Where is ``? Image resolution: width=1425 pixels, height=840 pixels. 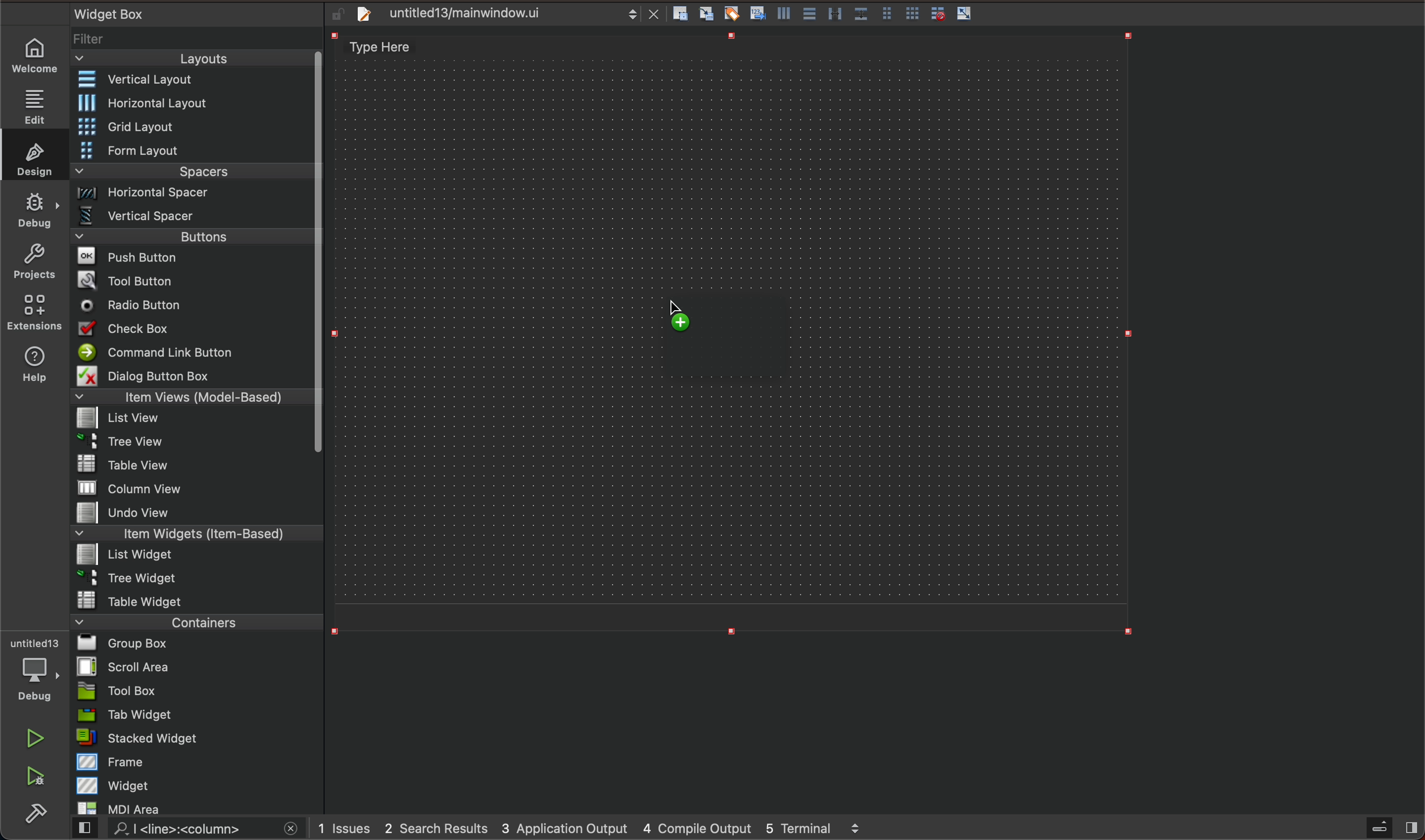
 is located at coordinates (36, 738).